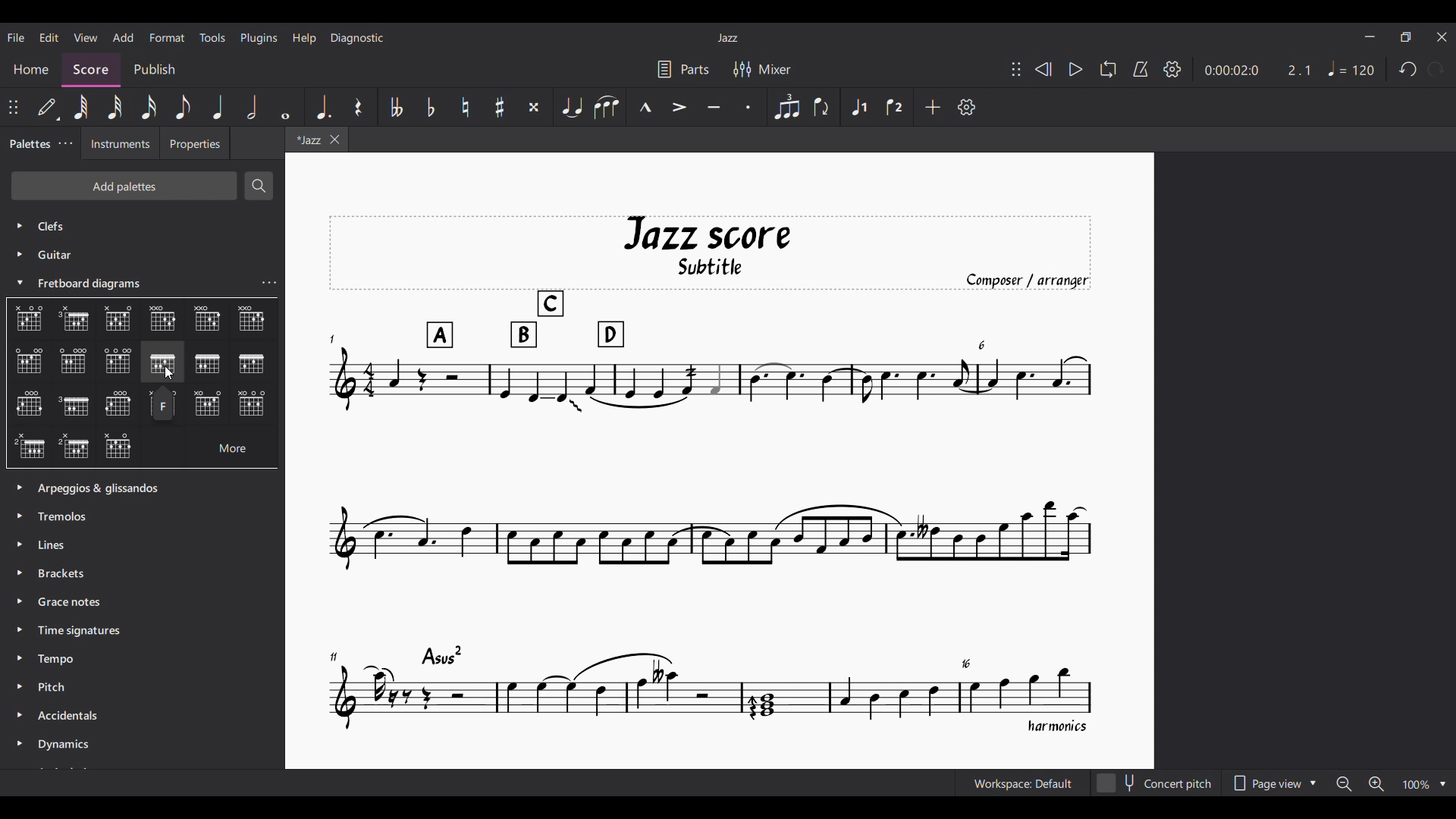 Image resolution: width=1456 pixels, height=819 pixels. I want to click on Toggle sharp, so click(500, 107).